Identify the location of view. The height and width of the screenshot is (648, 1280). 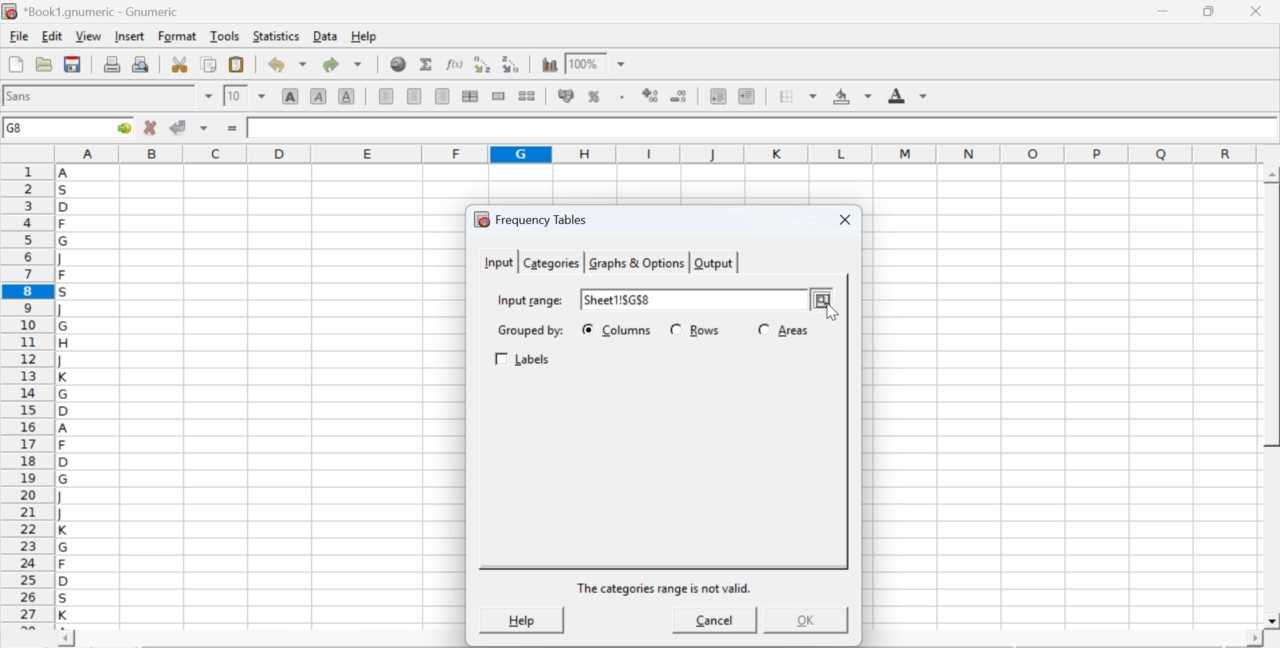
(88, 35).